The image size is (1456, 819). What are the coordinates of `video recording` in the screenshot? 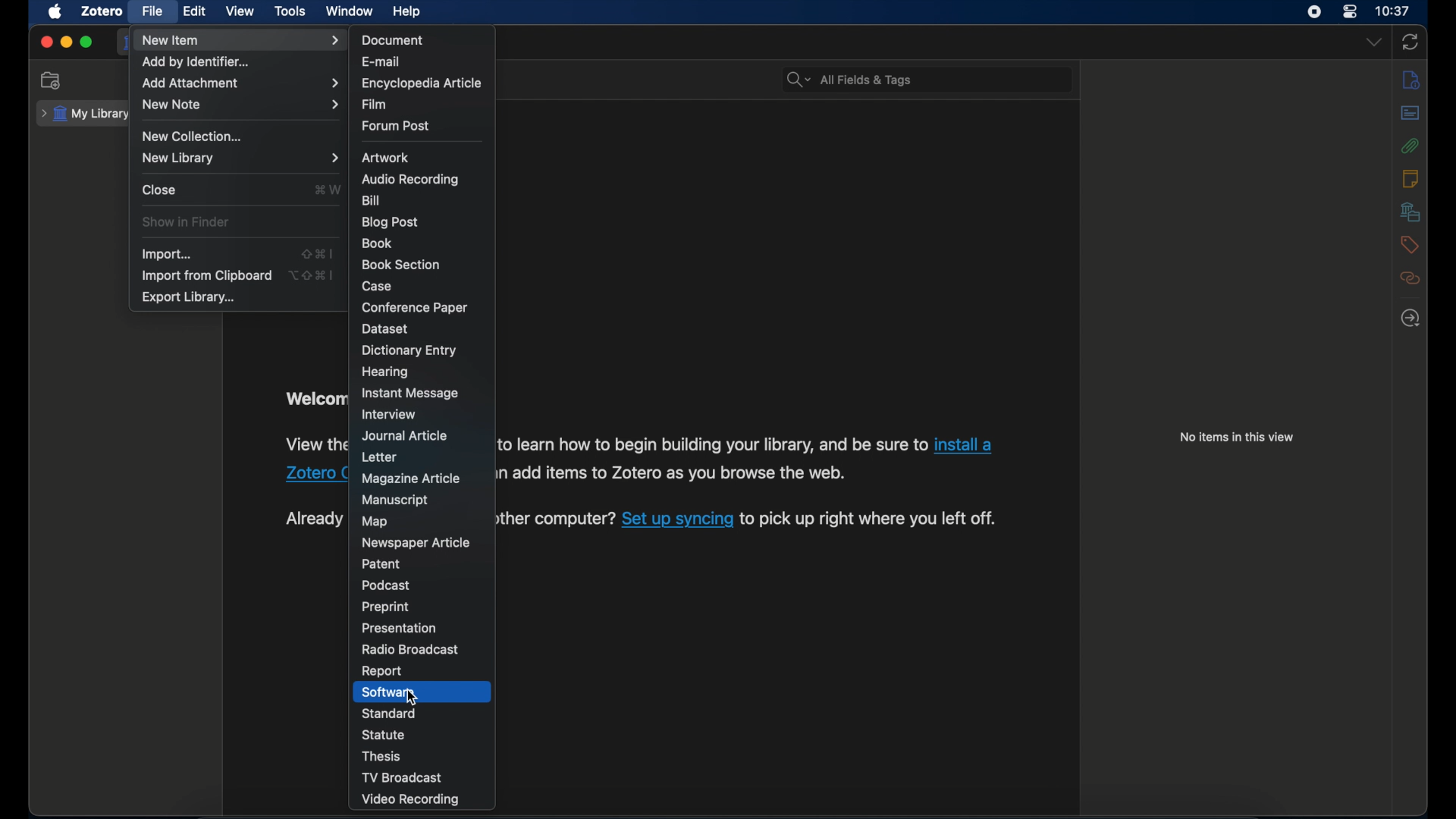 It's located at (411, 800).